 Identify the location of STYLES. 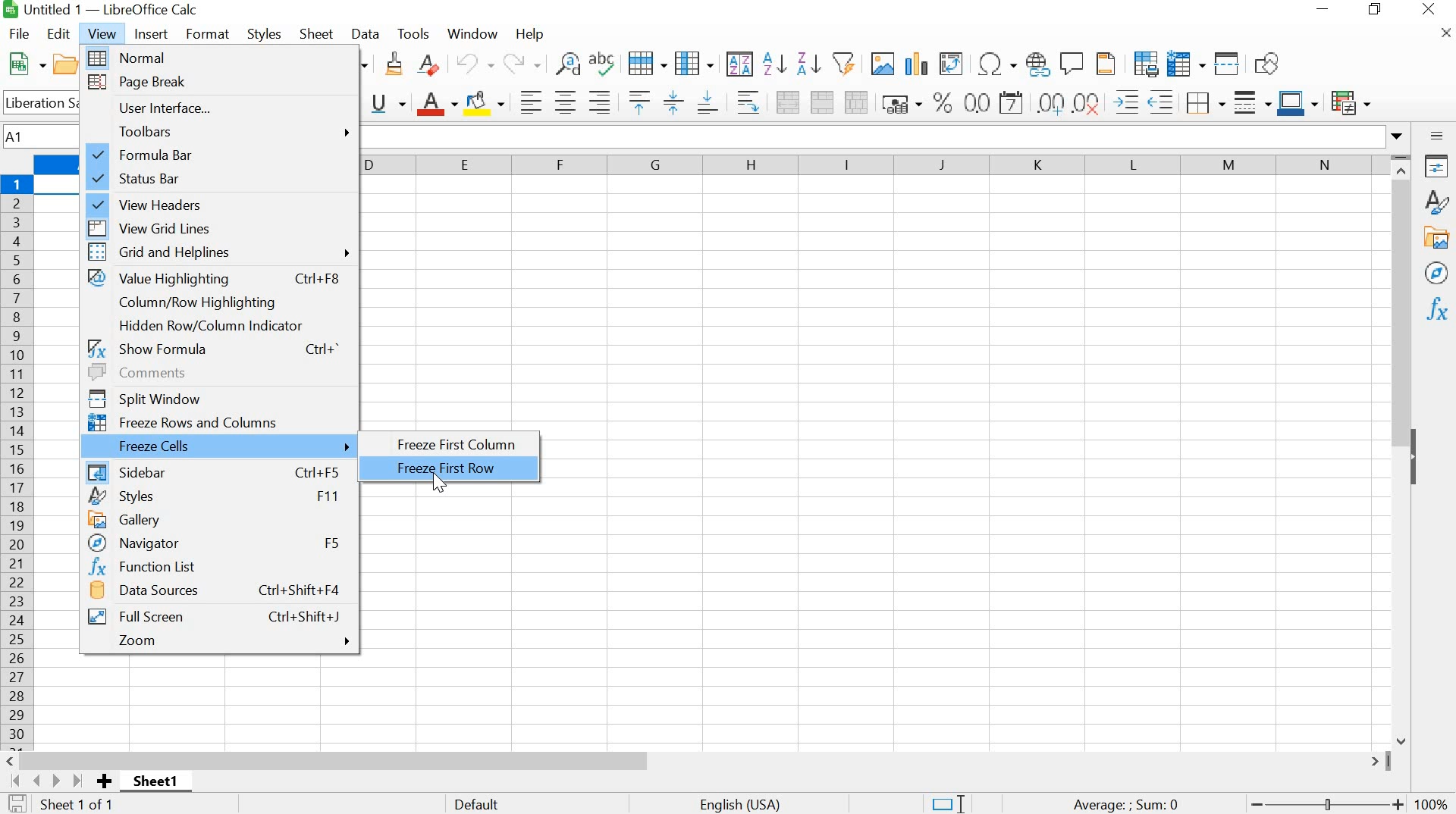
(216, 496).